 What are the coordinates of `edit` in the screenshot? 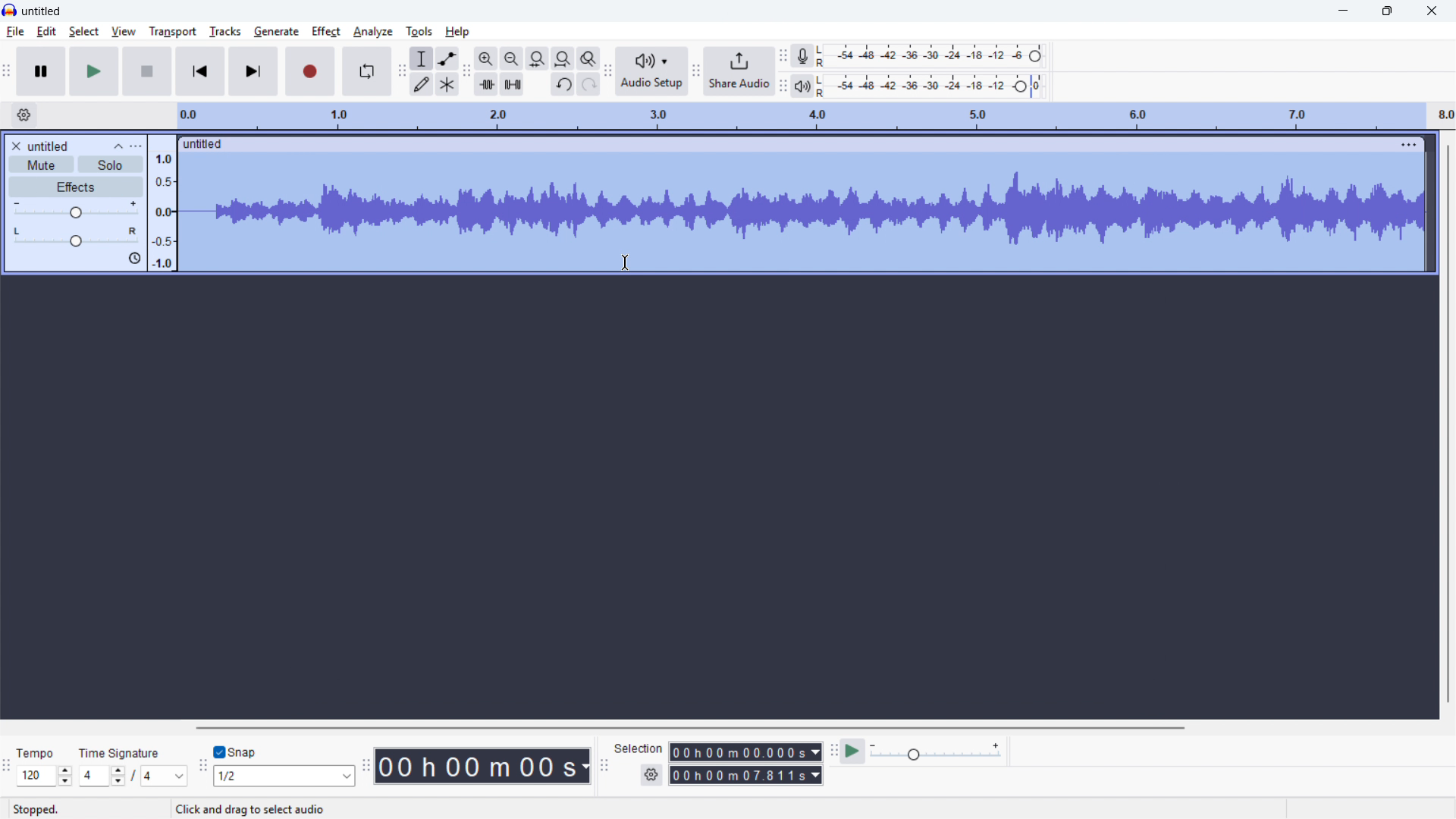 It's located at (46, 32).